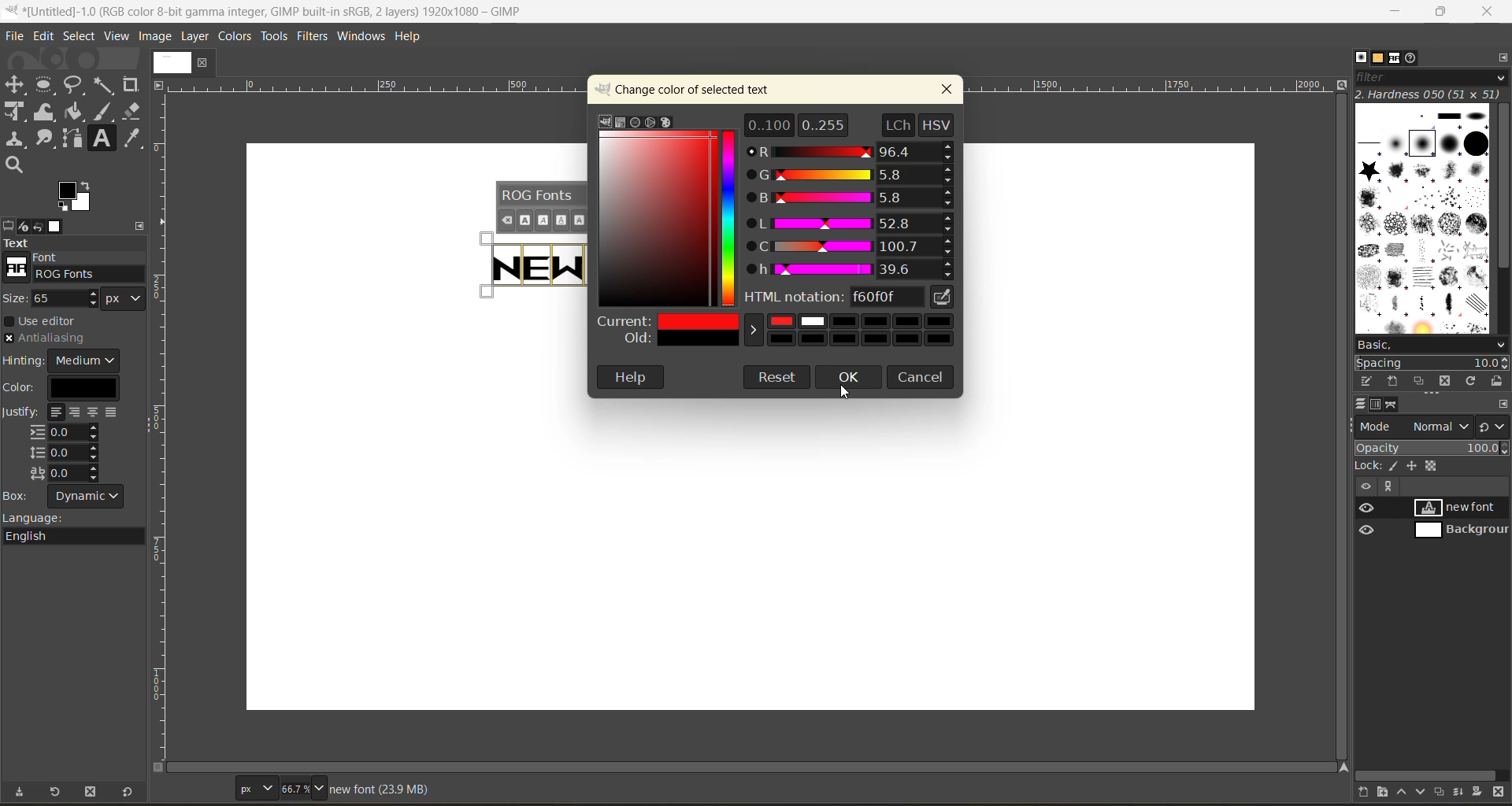 The width and height of the screenshot is (1512, 806). What do you see at coordinates (46, 339) in the screenshot?
I see `antialiasing` at bounding box center [46, 339].